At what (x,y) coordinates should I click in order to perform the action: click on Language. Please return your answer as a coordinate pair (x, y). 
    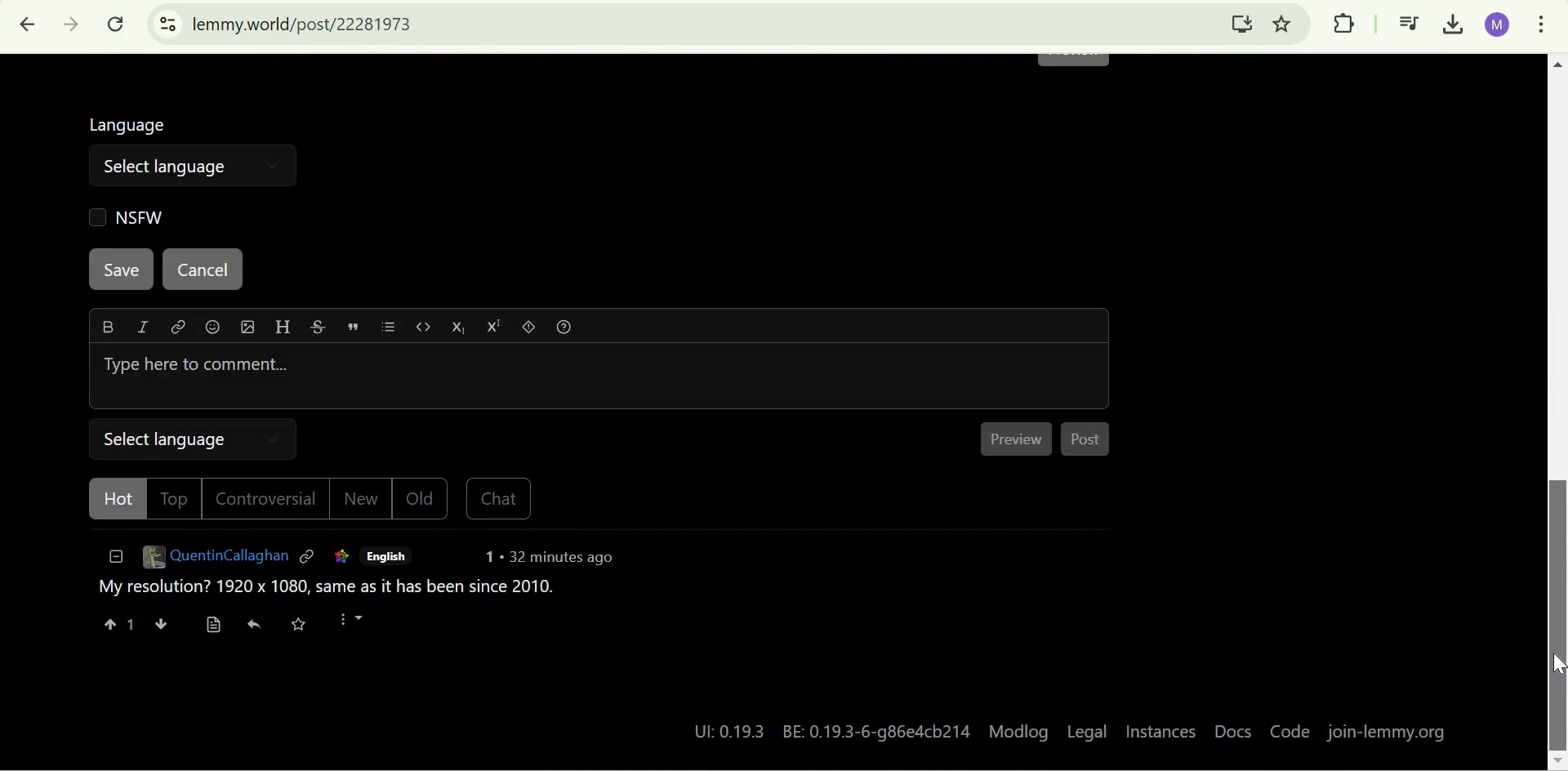
    Looking at the image, I should click on (131, 122).